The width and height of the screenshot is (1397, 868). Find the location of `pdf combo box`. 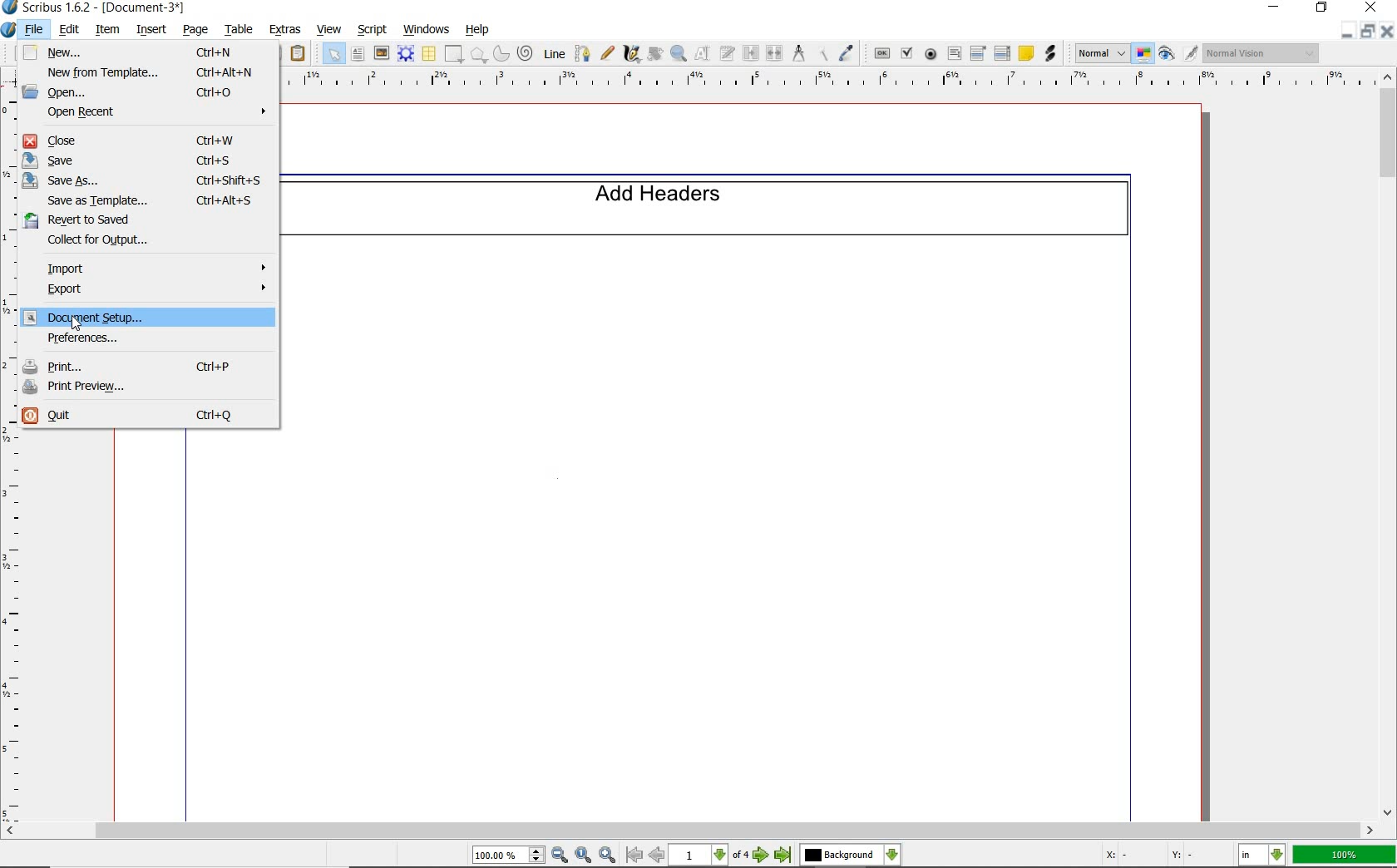

pdf combo box is located at coordinates (978, 52).